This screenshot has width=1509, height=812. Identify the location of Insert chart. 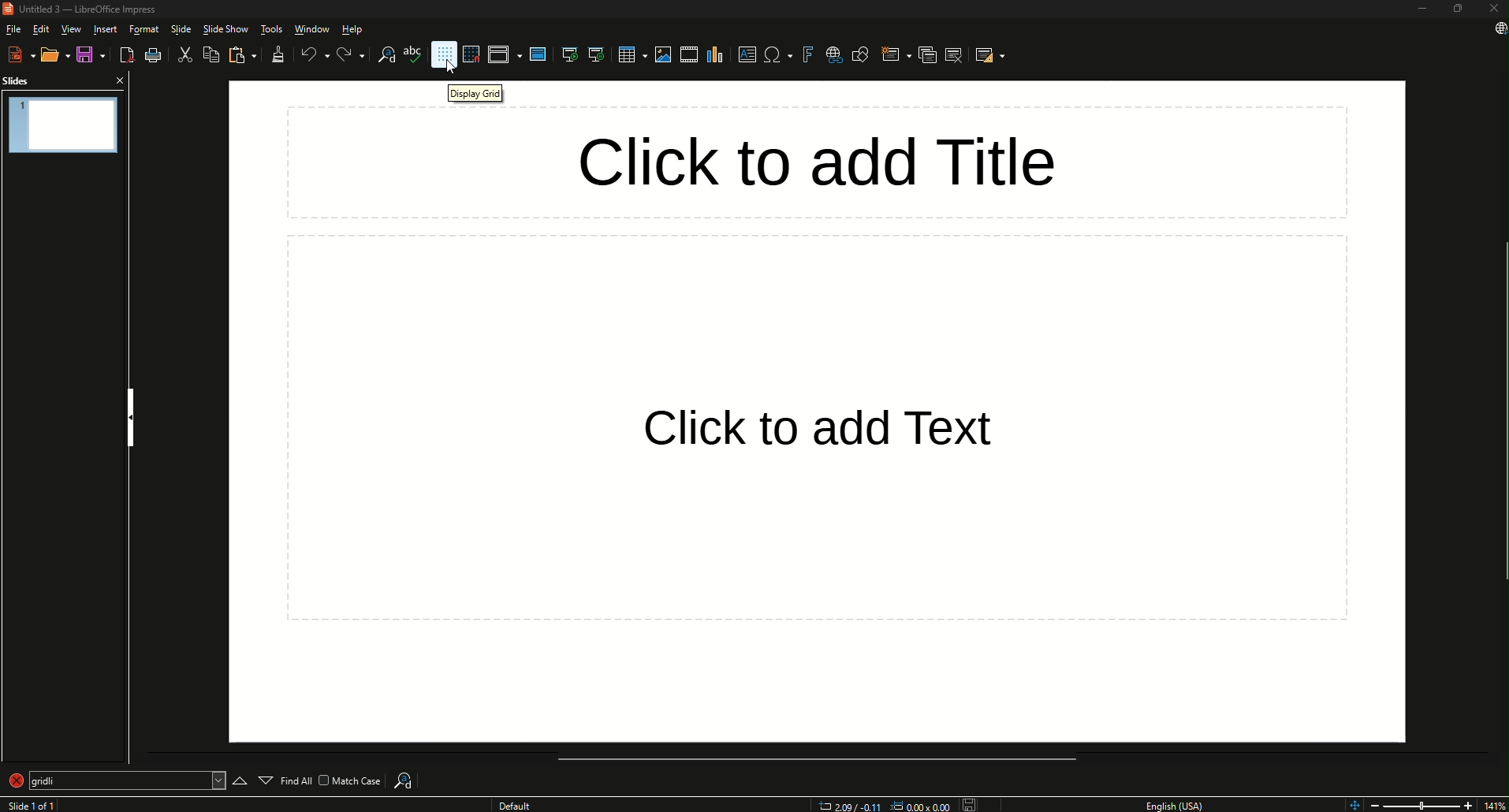
(714, 55).